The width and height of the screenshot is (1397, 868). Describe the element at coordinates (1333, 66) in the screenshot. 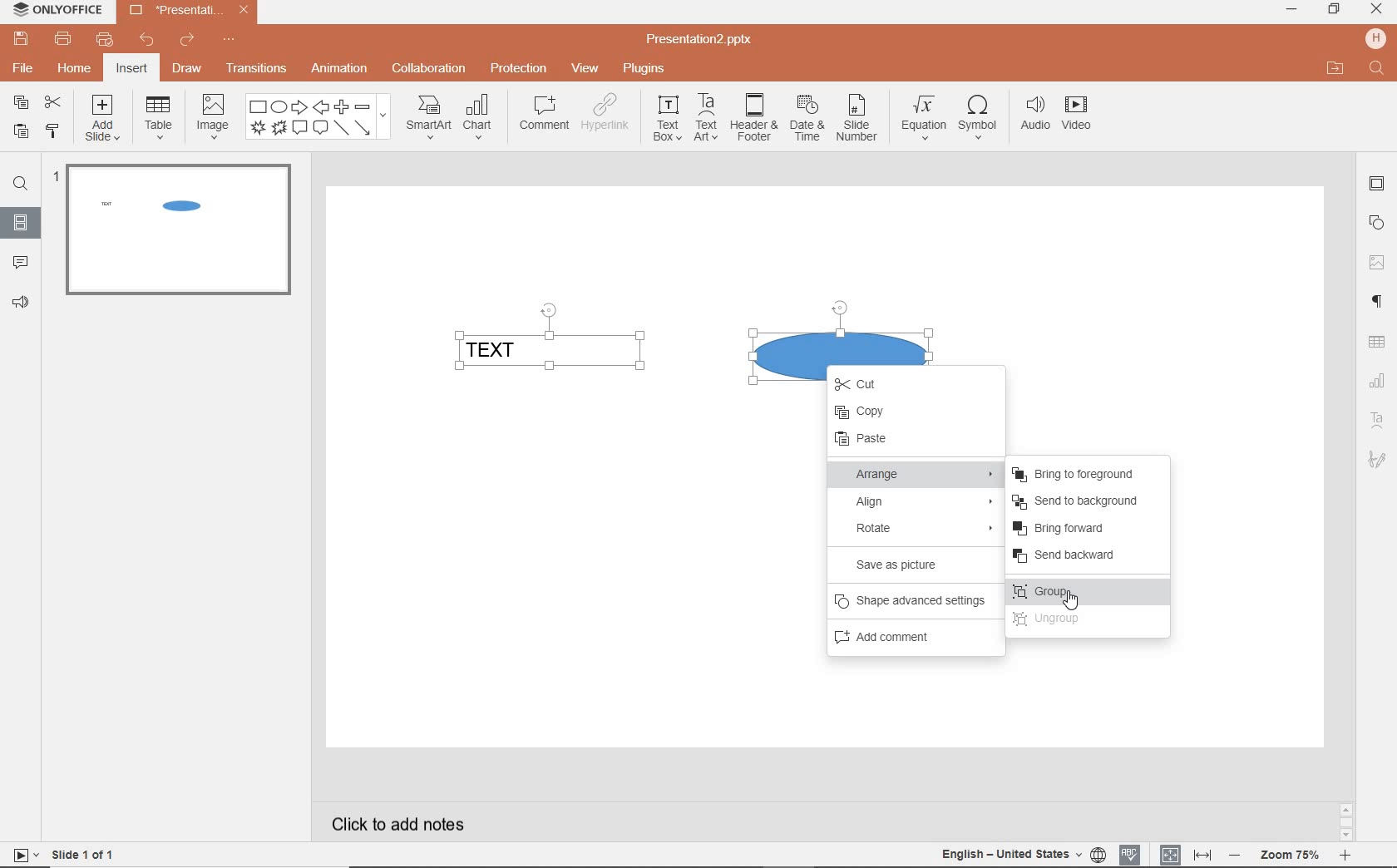

I see `OPEN FILE LOCATION` at that location.